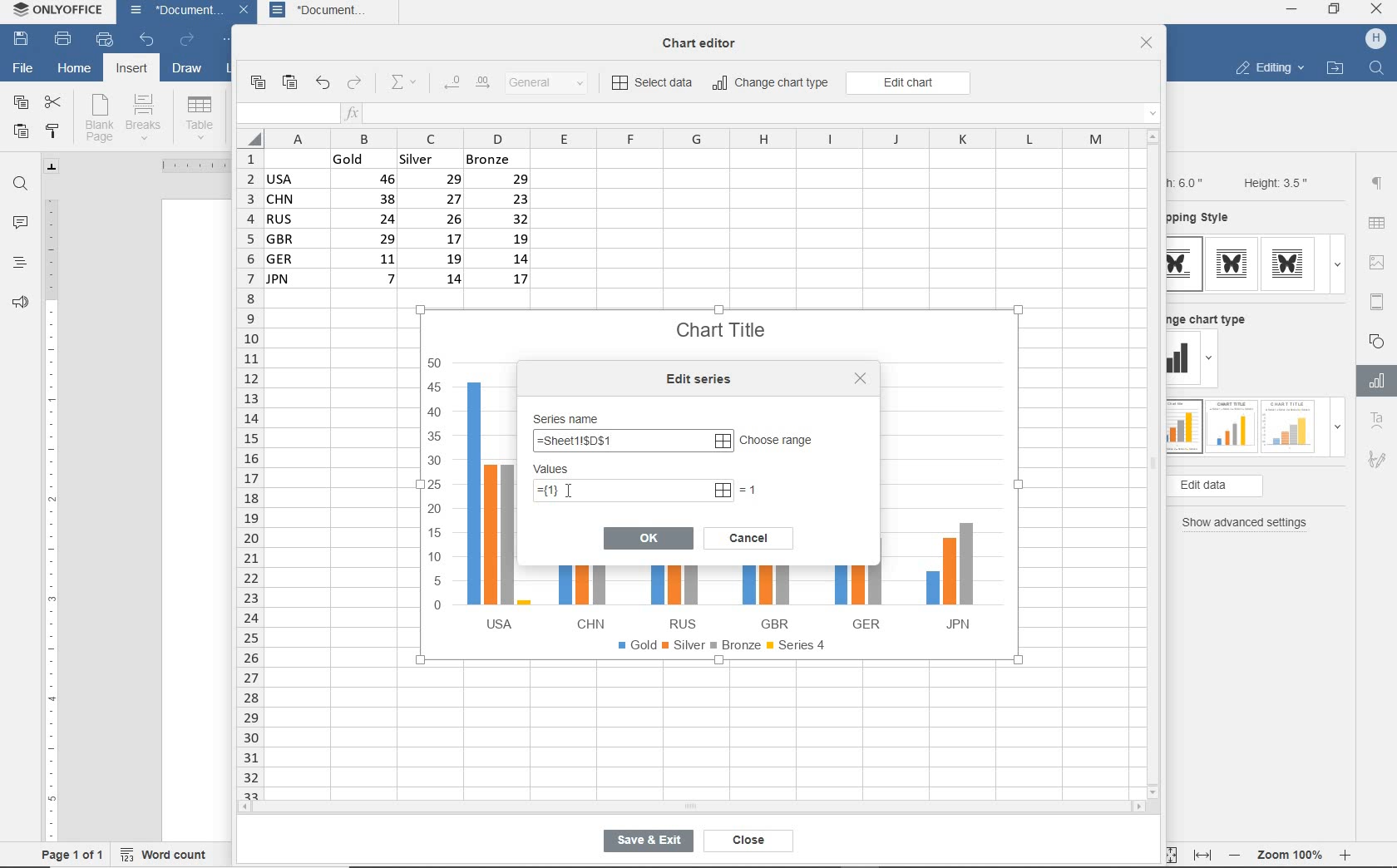 The height and width of the screenshot is (868, 1397). I want to click on Chart Title, so click(723, 321).